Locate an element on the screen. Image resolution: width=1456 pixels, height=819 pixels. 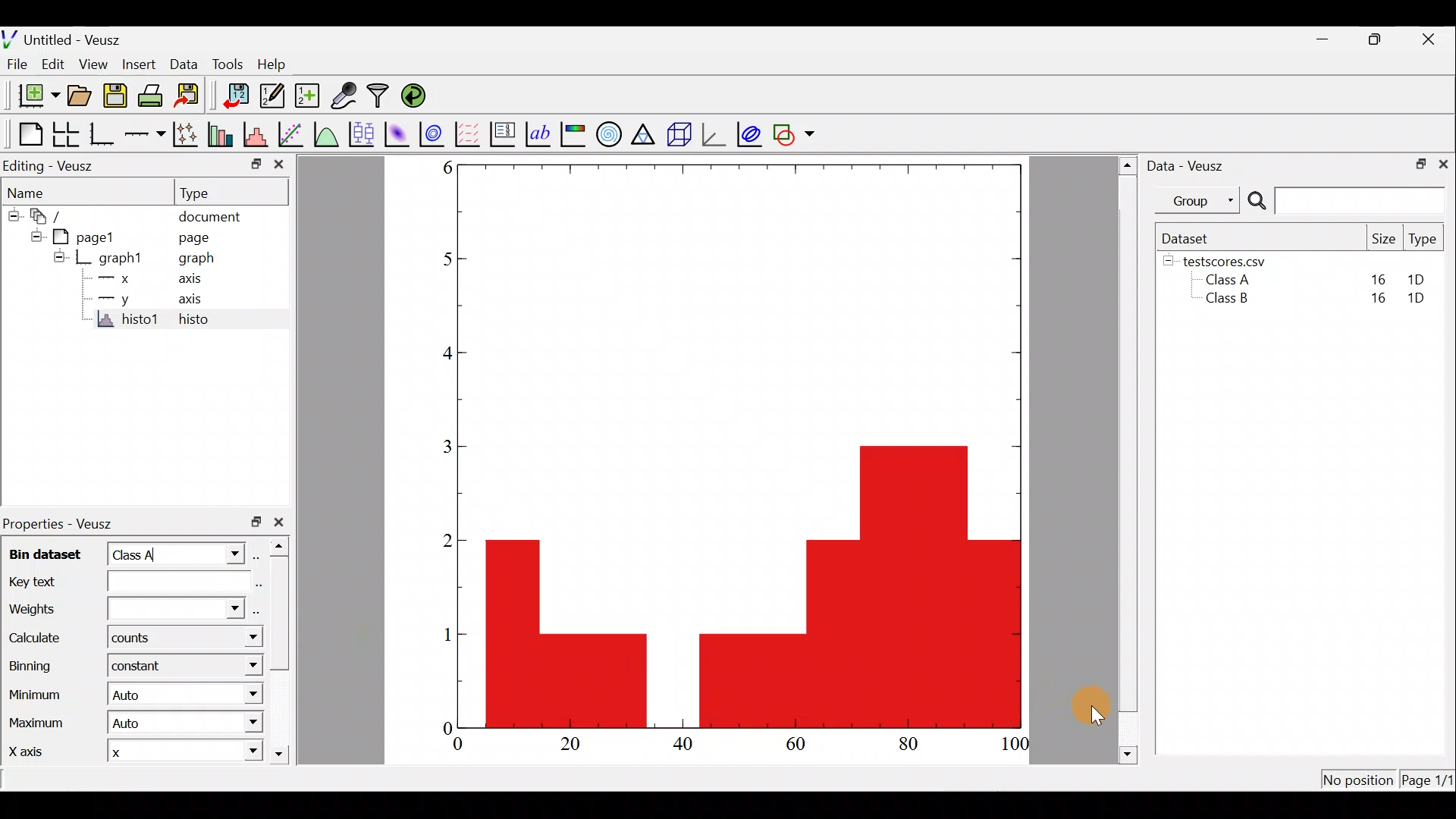
Edit is located at coordinates (56, 64).